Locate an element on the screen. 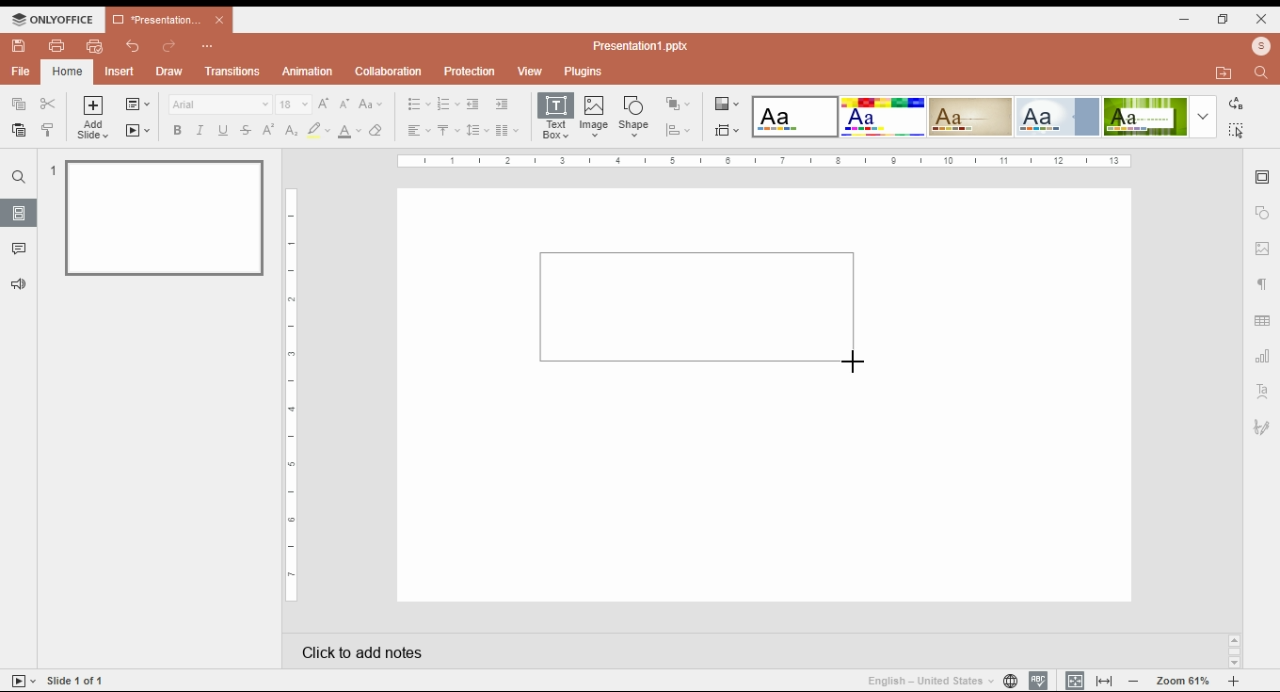 The height and width of the screenshot is (692, 1280). *Presentation... is located at coordinates (152, 21).